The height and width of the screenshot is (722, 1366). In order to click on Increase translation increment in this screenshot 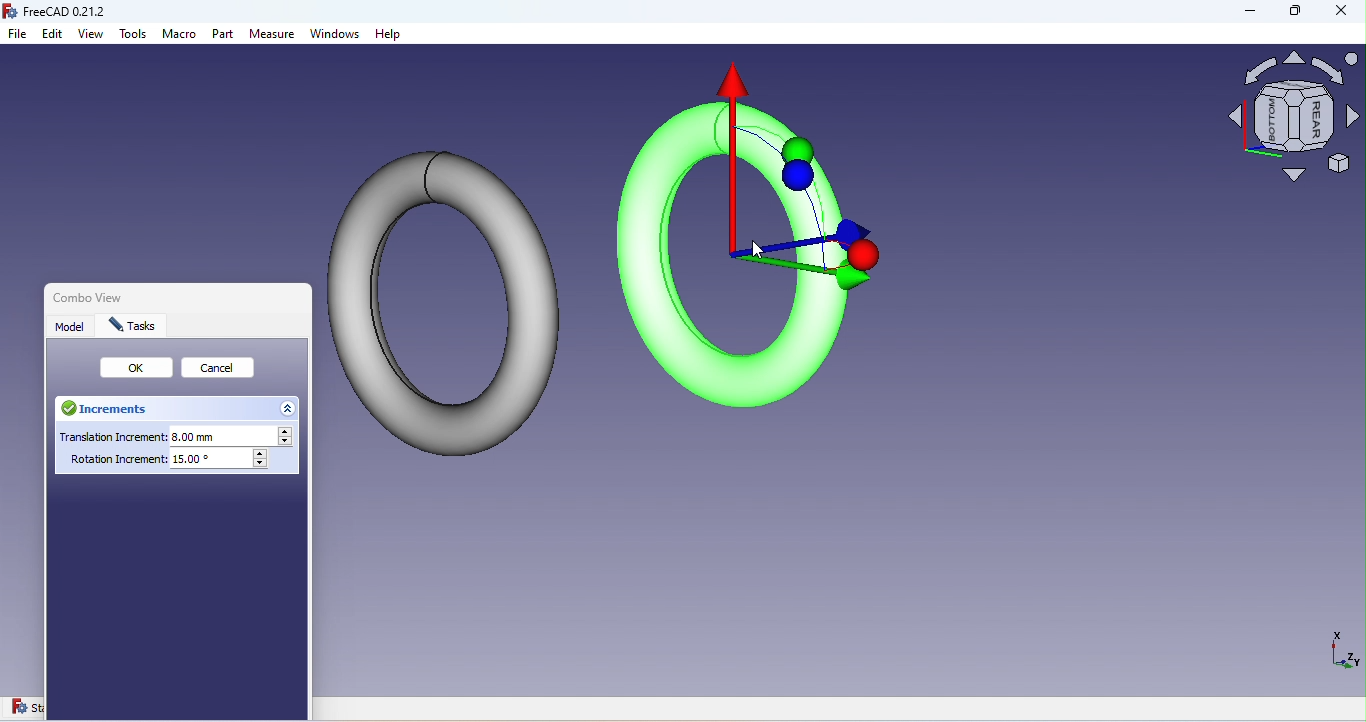, I will do `click(288, 432)`.